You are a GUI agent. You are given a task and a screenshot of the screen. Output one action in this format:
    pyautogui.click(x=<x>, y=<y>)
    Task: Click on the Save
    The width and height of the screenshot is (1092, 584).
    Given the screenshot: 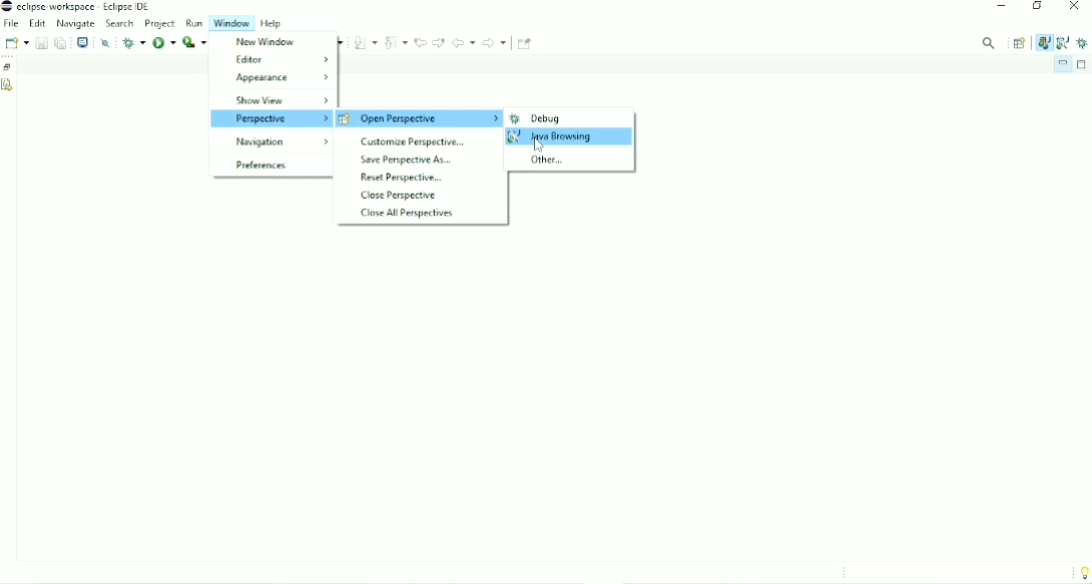 What is the action you would take?
    pyautogui.click(x=40, y=43)
    